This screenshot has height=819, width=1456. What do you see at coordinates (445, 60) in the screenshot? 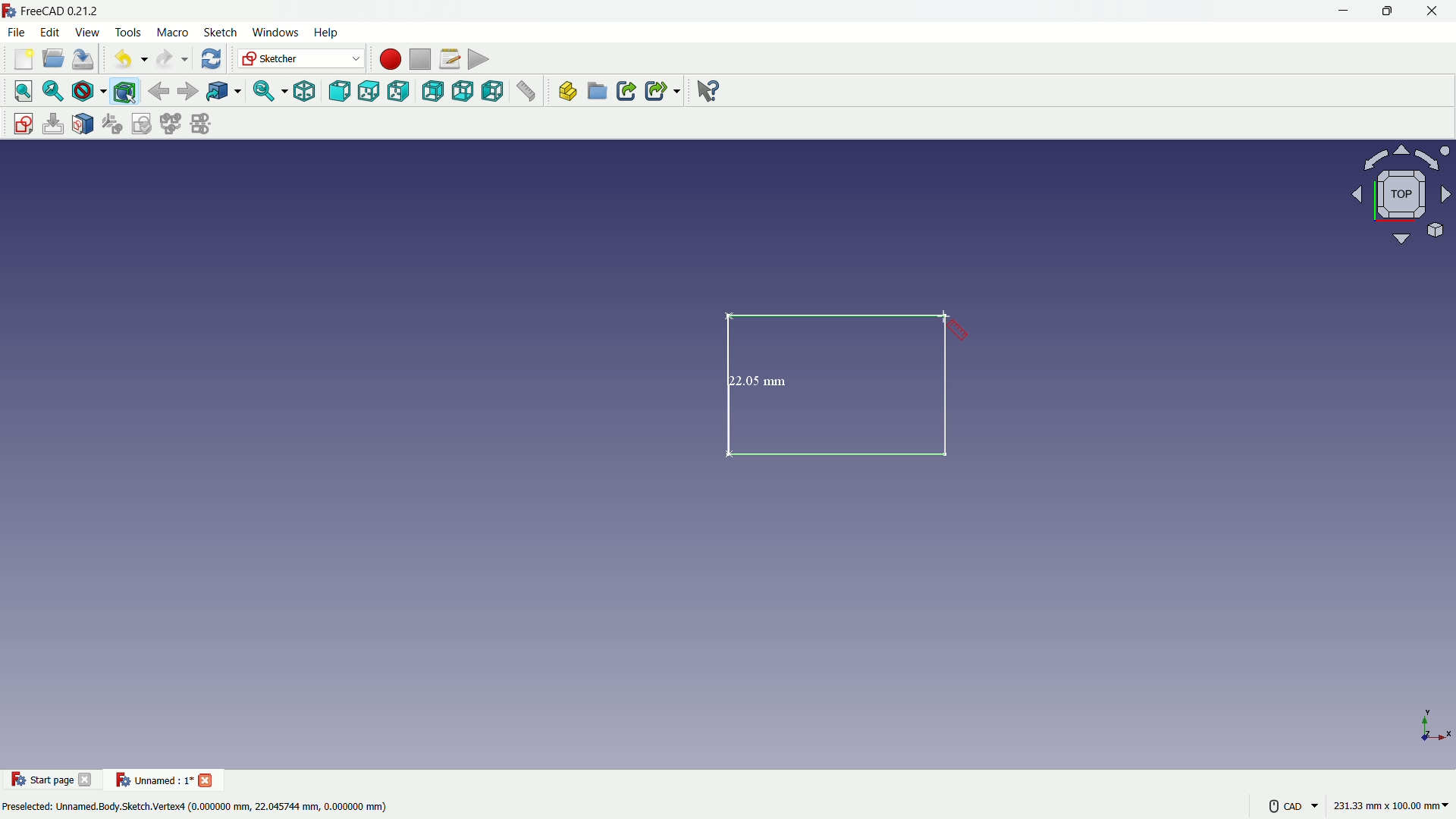
I see `macro settings` at bounding box center [445, 60].